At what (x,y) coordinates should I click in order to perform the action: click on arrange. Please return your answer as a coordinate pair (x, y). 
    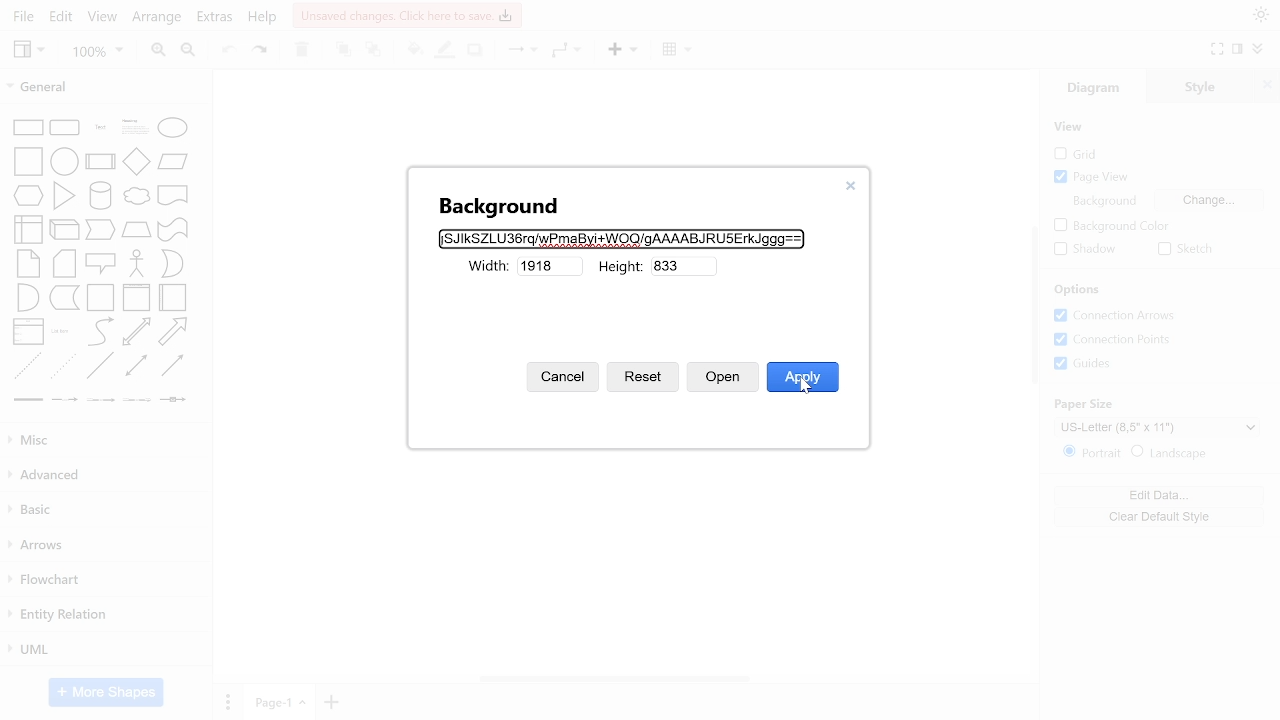
    Looking at the image, I should click on (156, 17).